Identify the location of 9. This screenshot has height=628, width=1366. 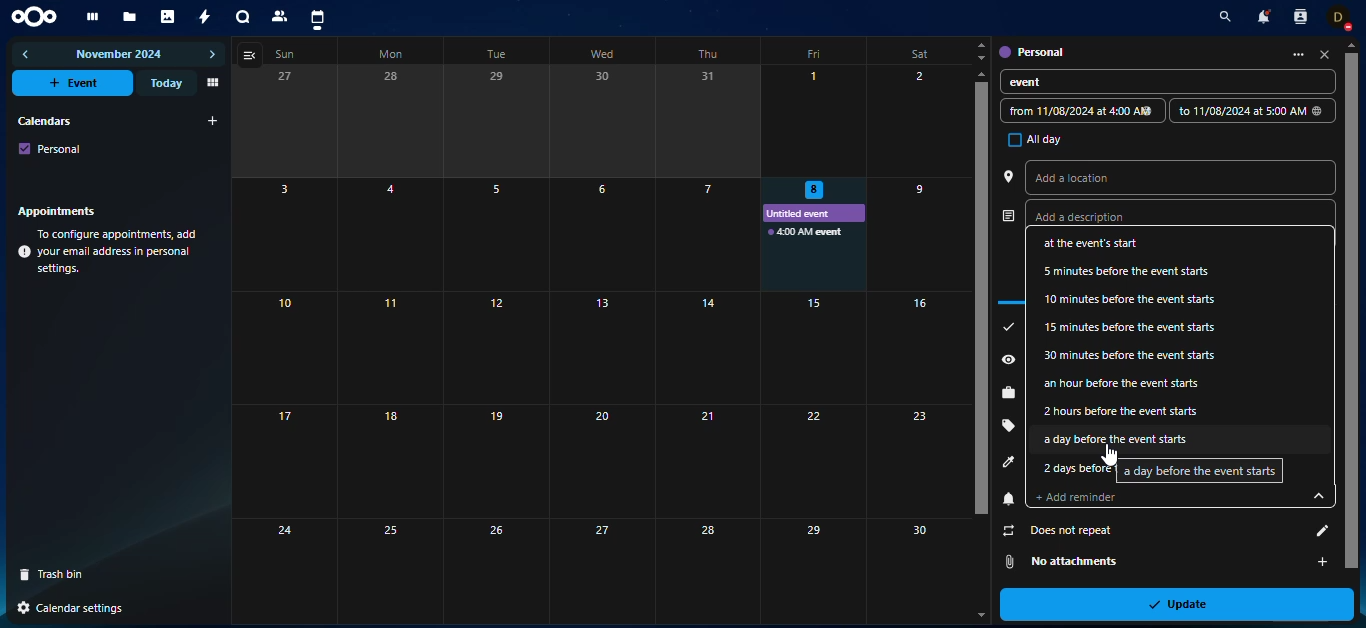
(915, 232).